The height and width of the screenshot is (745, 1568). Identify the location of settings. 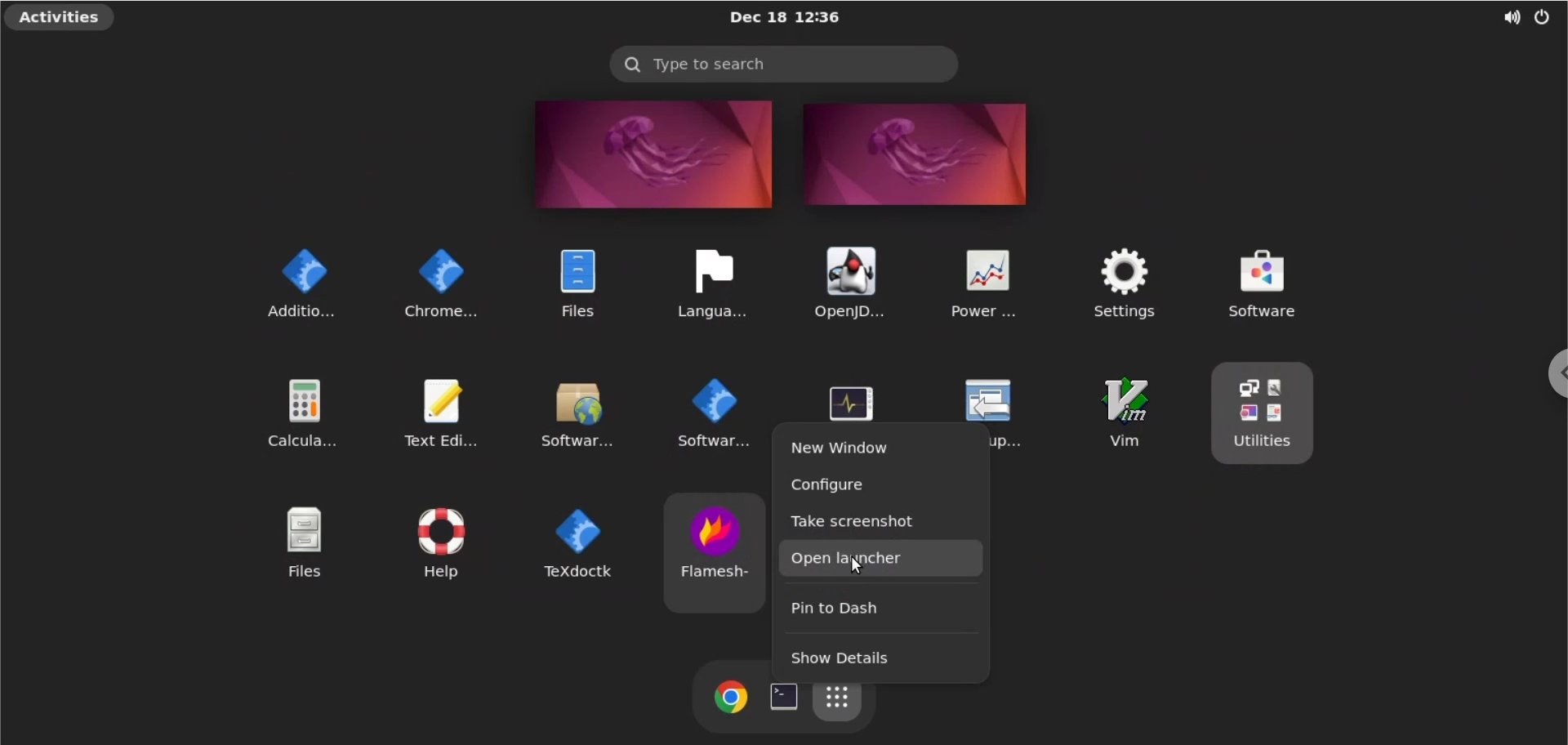
(1119, 282).